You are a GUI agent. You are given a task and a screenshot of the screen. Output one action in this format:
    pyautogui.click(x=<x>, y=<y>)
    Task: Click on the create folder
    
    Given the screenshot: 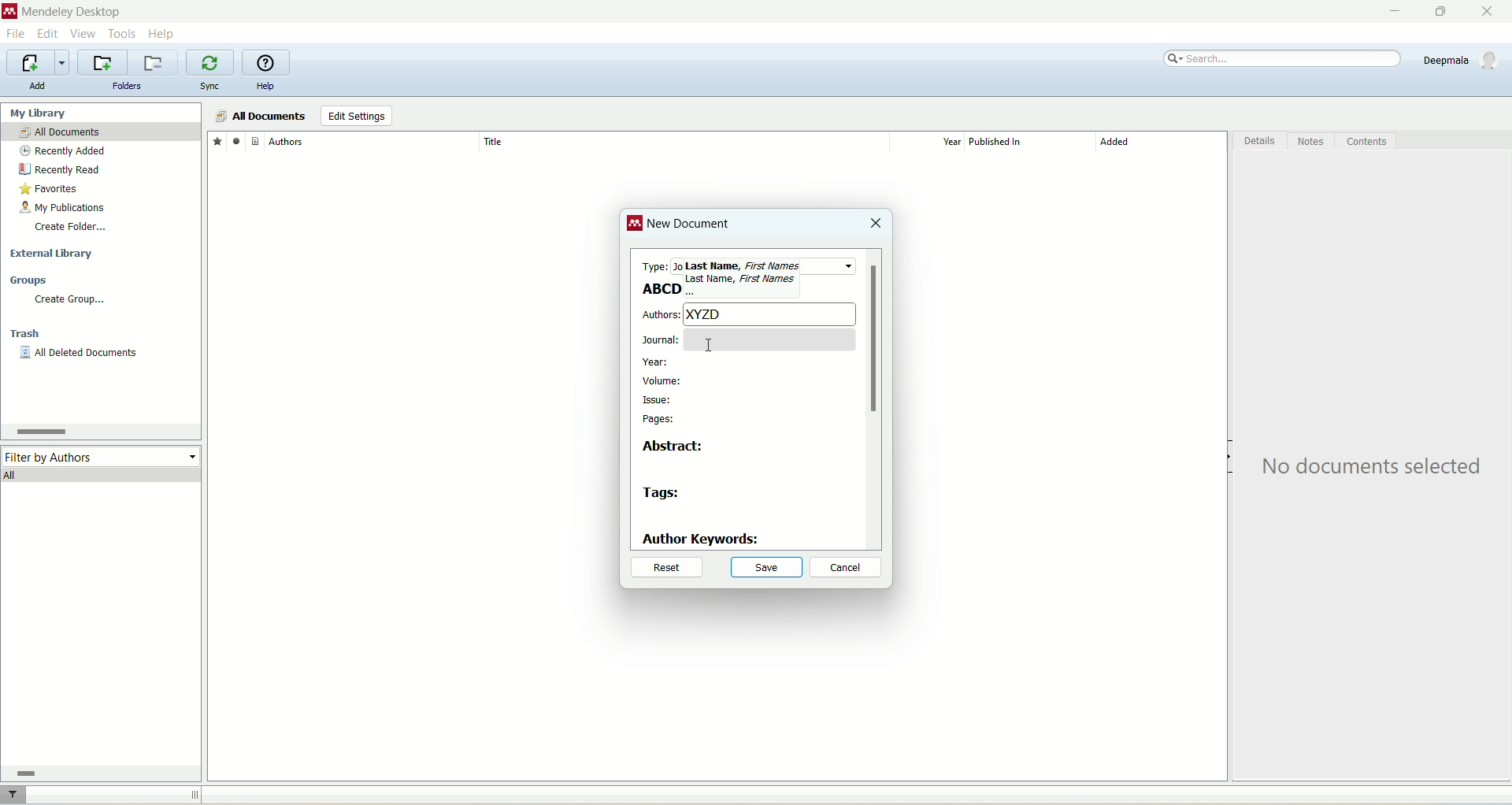 What is the action you would take?
    pyautogui.click(x=70, y=226)
    